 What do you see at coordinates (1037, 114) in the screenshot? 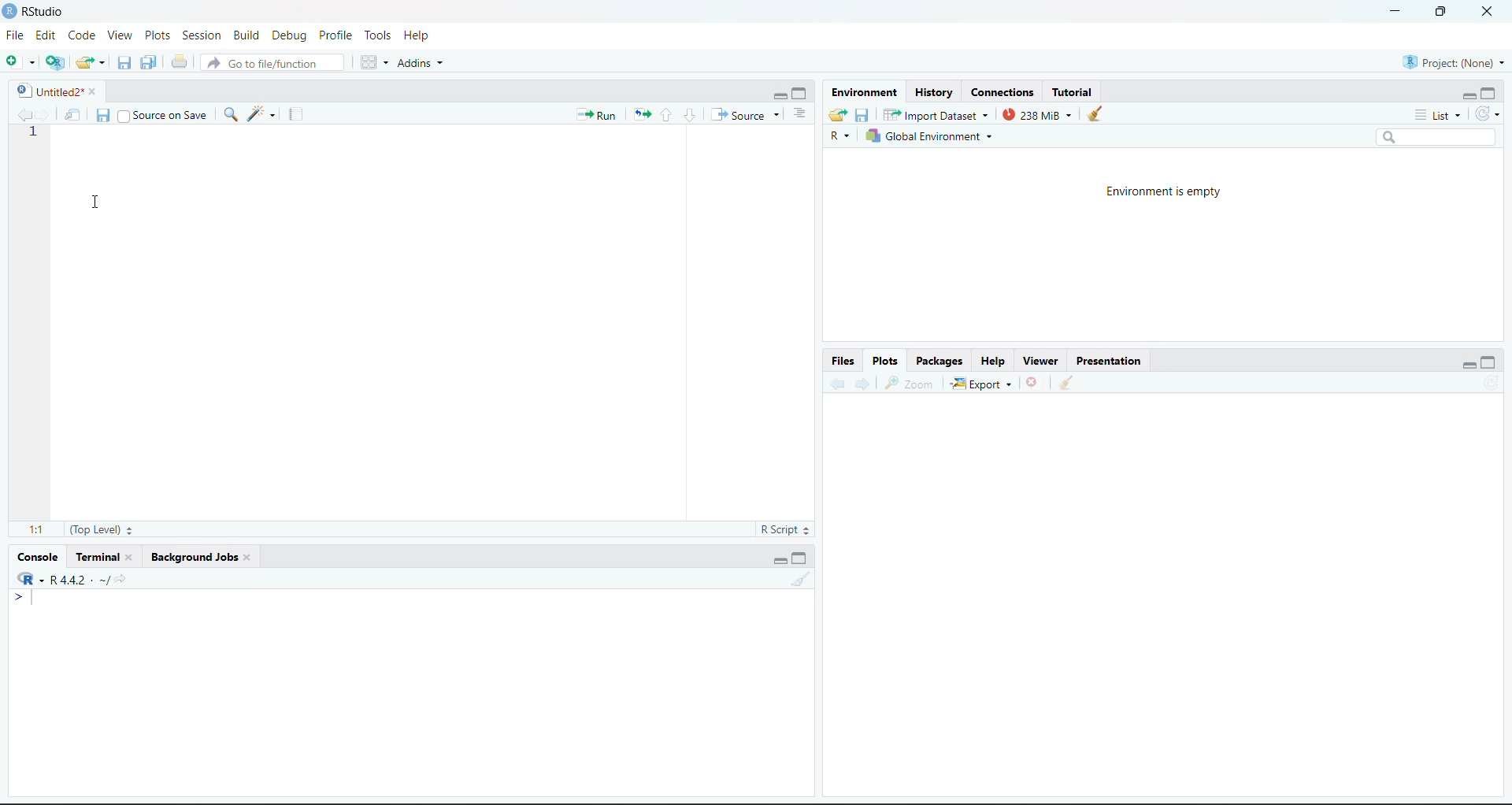
I see `238 Mib` at bounding box center [1037, 114].